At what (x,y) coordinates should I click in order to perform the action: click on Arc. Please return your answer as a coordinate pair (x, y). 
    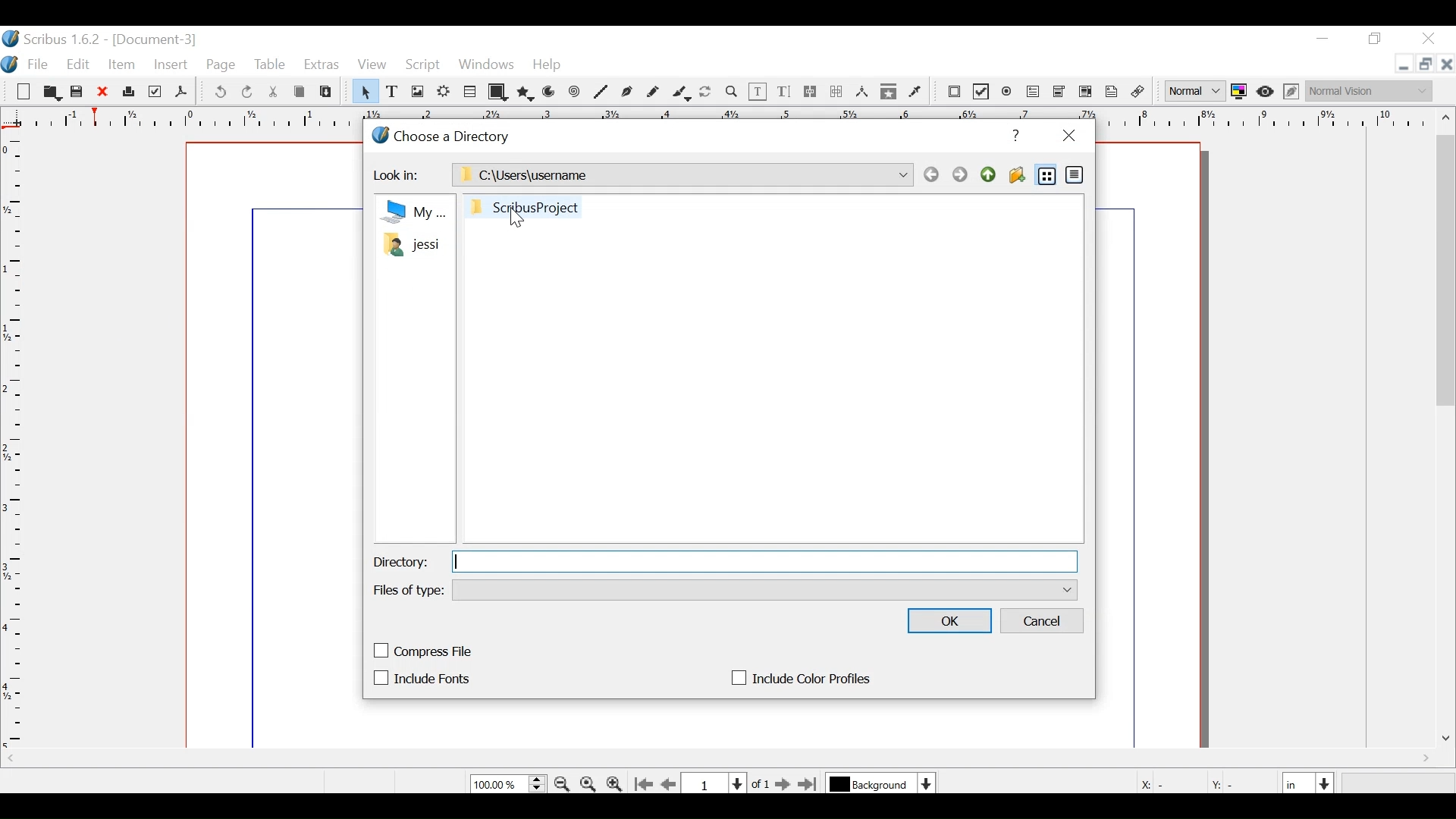
    Looking at the image, I should click on (549, 93).